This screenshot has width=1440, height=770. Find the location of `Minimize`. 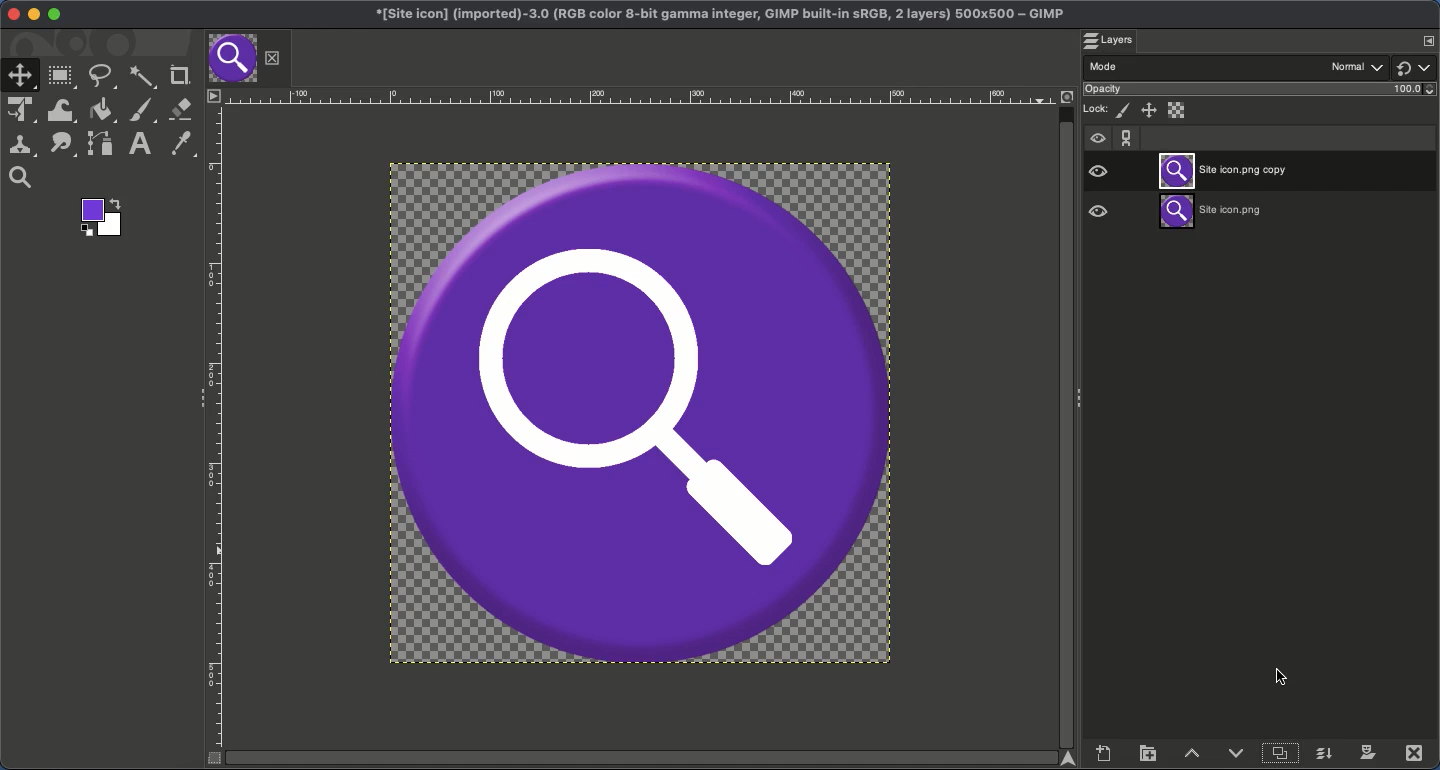

Minimize is located at coordinates (32, 14).